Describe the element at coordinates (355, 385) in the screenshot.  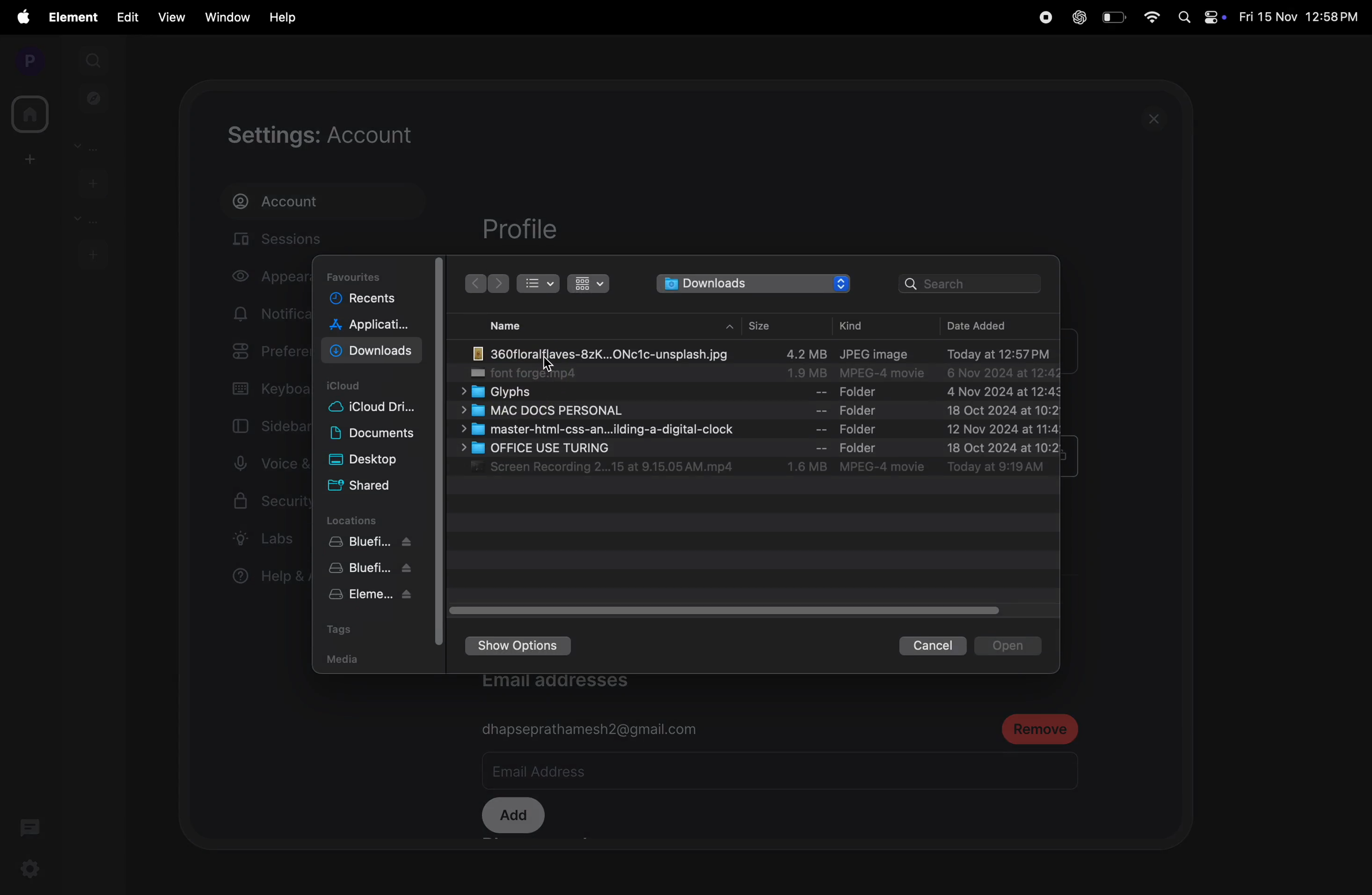
I see `i cloud` at that location.